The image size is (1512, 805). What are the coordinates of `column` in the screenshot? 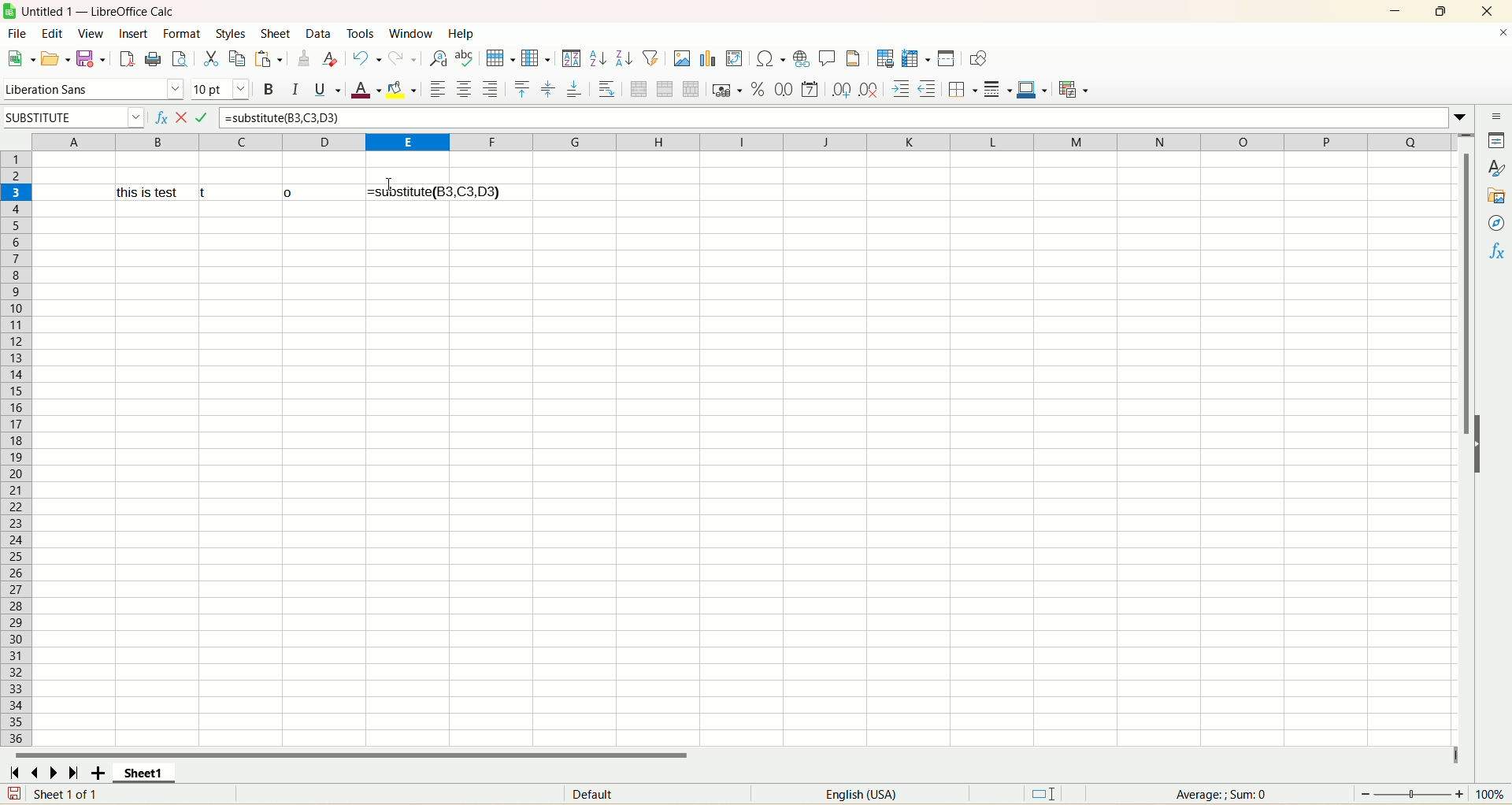 It's located at (537, 57).